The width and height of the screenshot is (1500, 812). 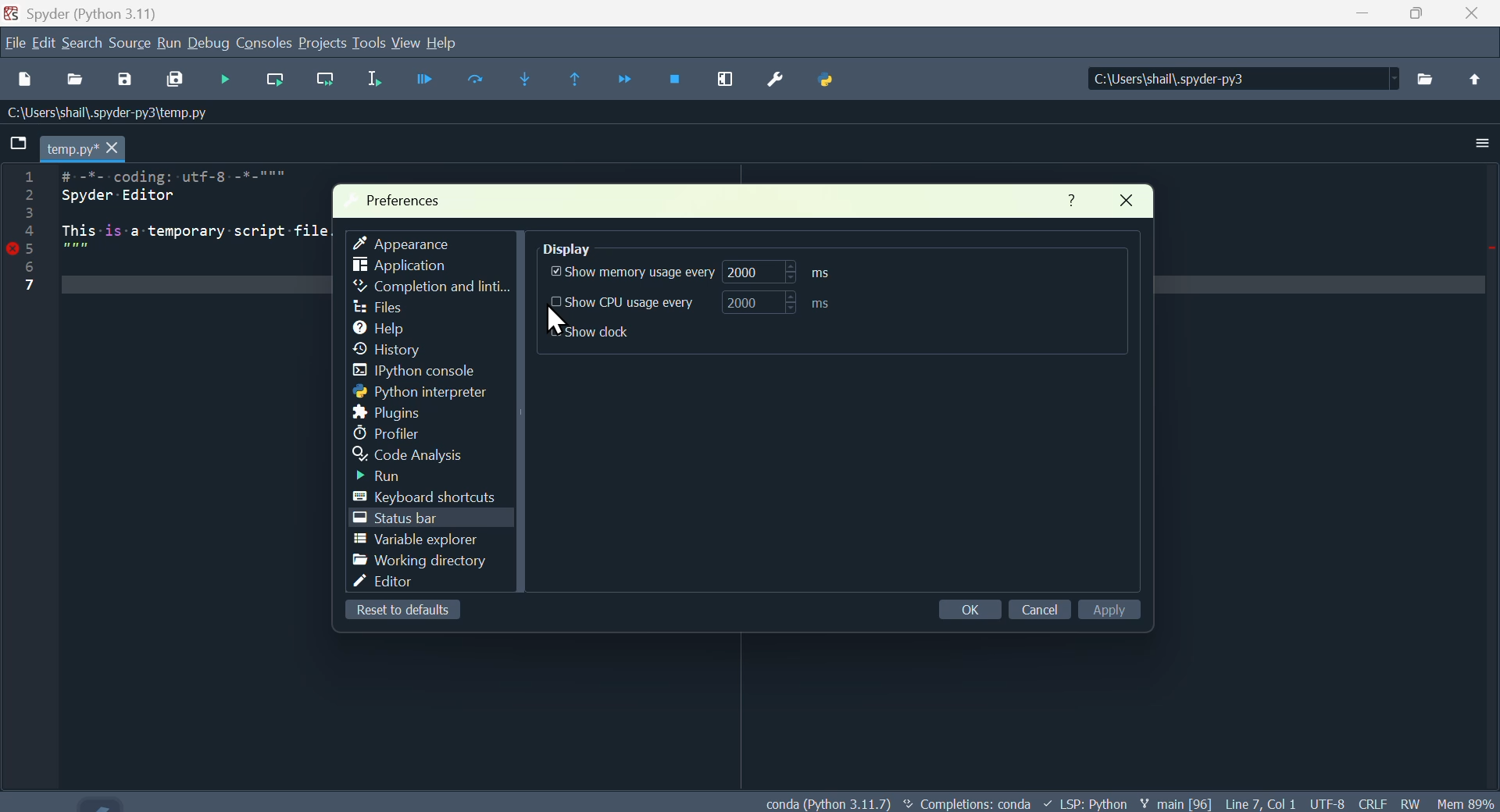 I want to click on Close, so click(x=1129, y=198).